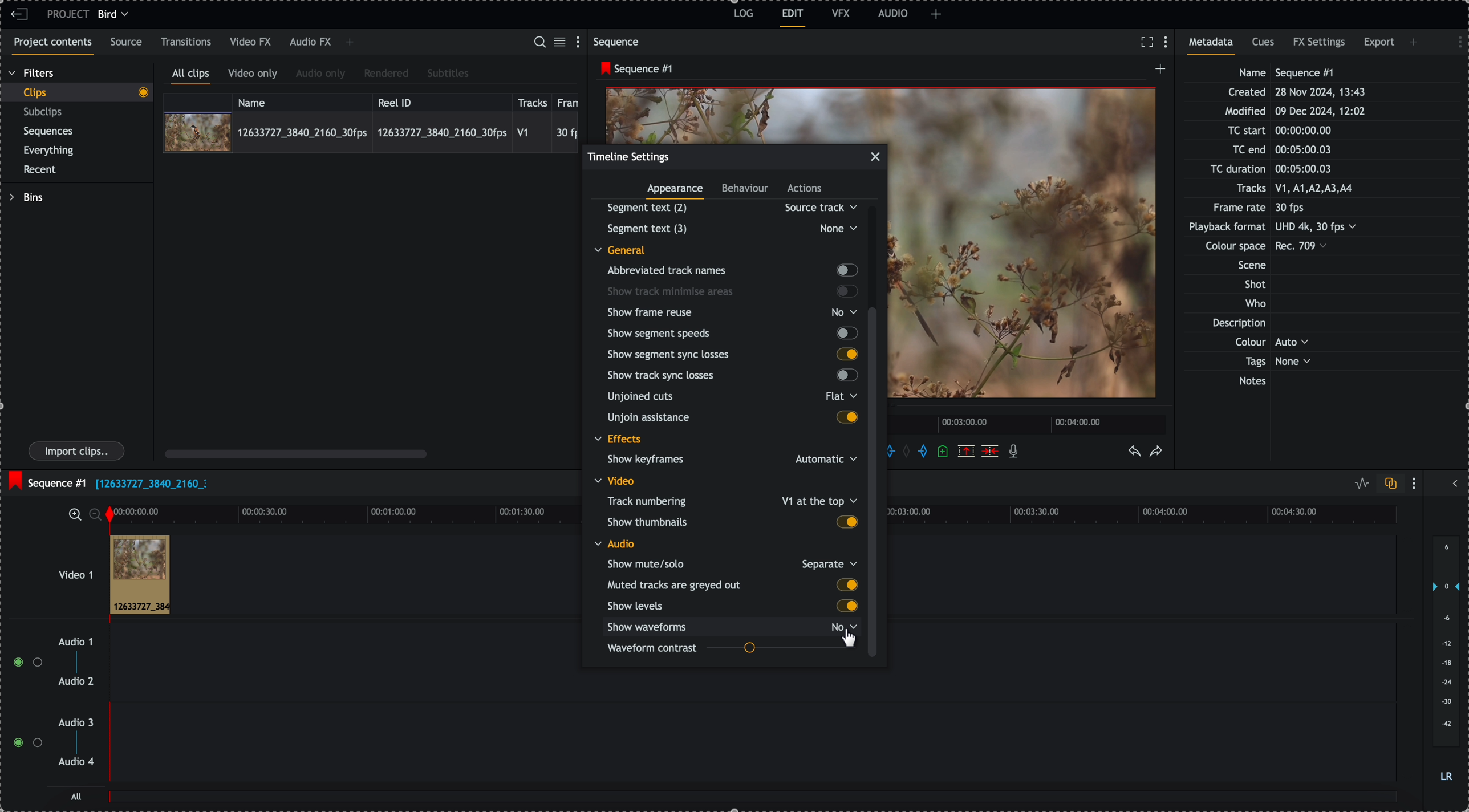 This screenshot has height=812, width=1469. What do you see at coordinates (619, 440) in the screenshot?
I see `effects` at bounding box center [619, 440].